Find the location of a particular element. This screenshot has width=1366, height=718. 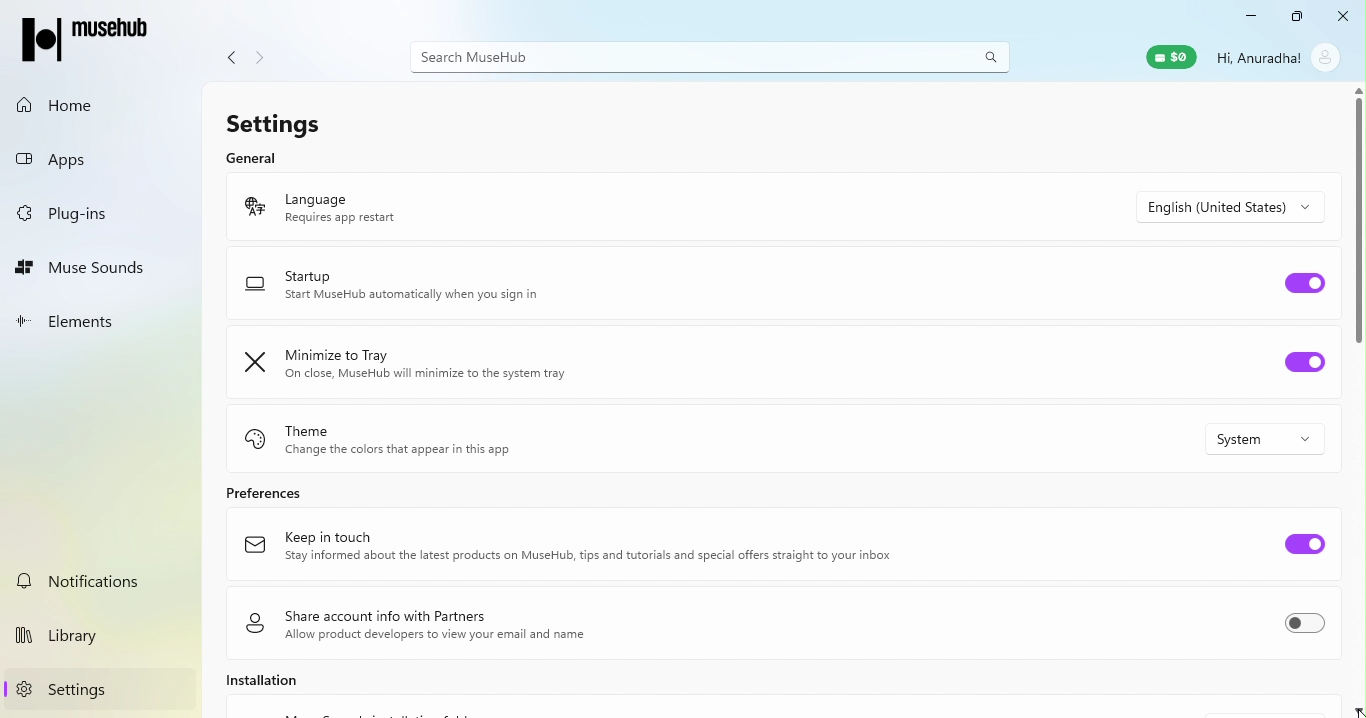

Drop down is located at coordinates (1267, 440).